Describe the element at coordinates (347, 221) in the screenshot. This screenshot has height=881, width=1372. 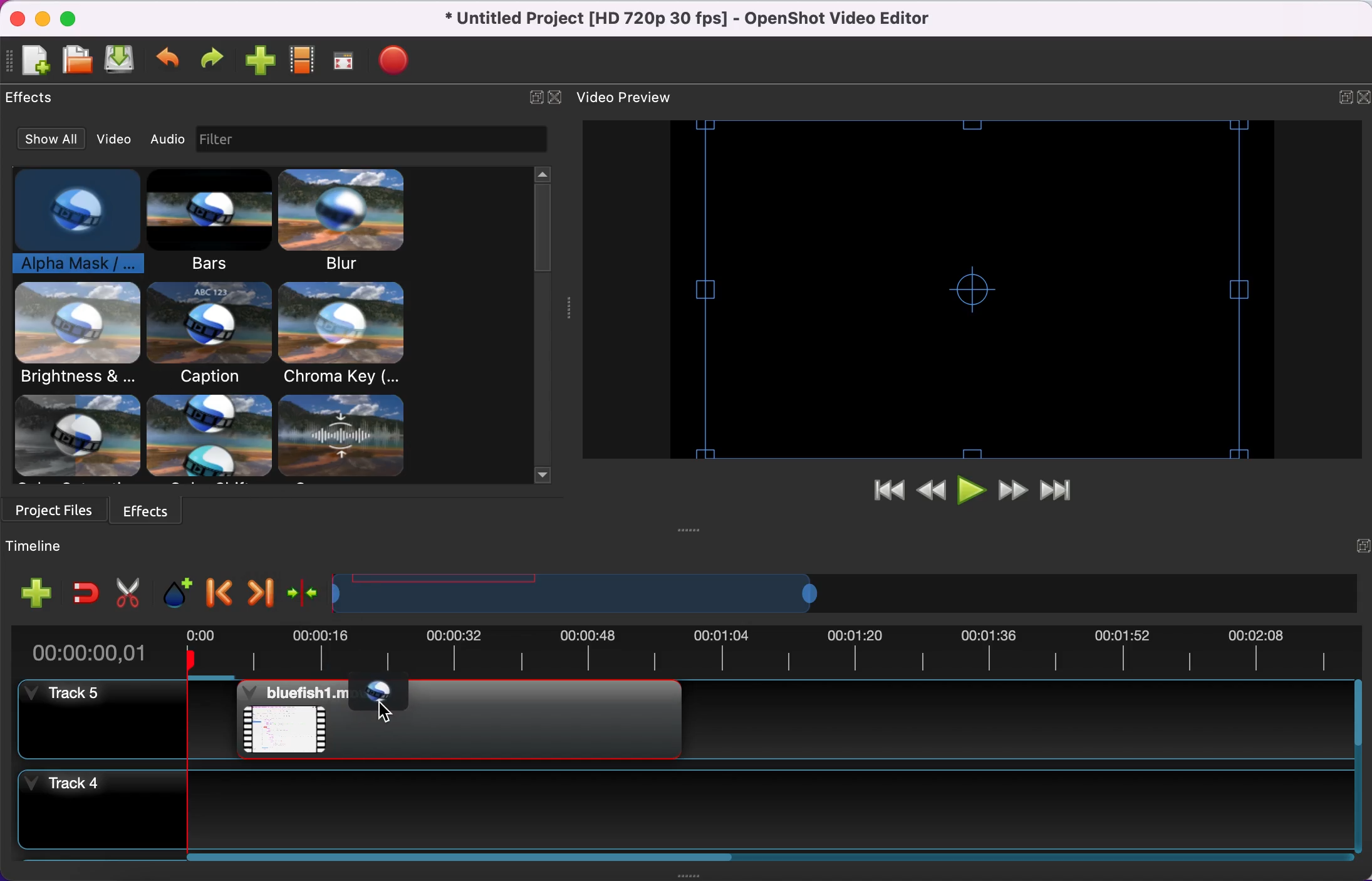
I see `blur` at that location.